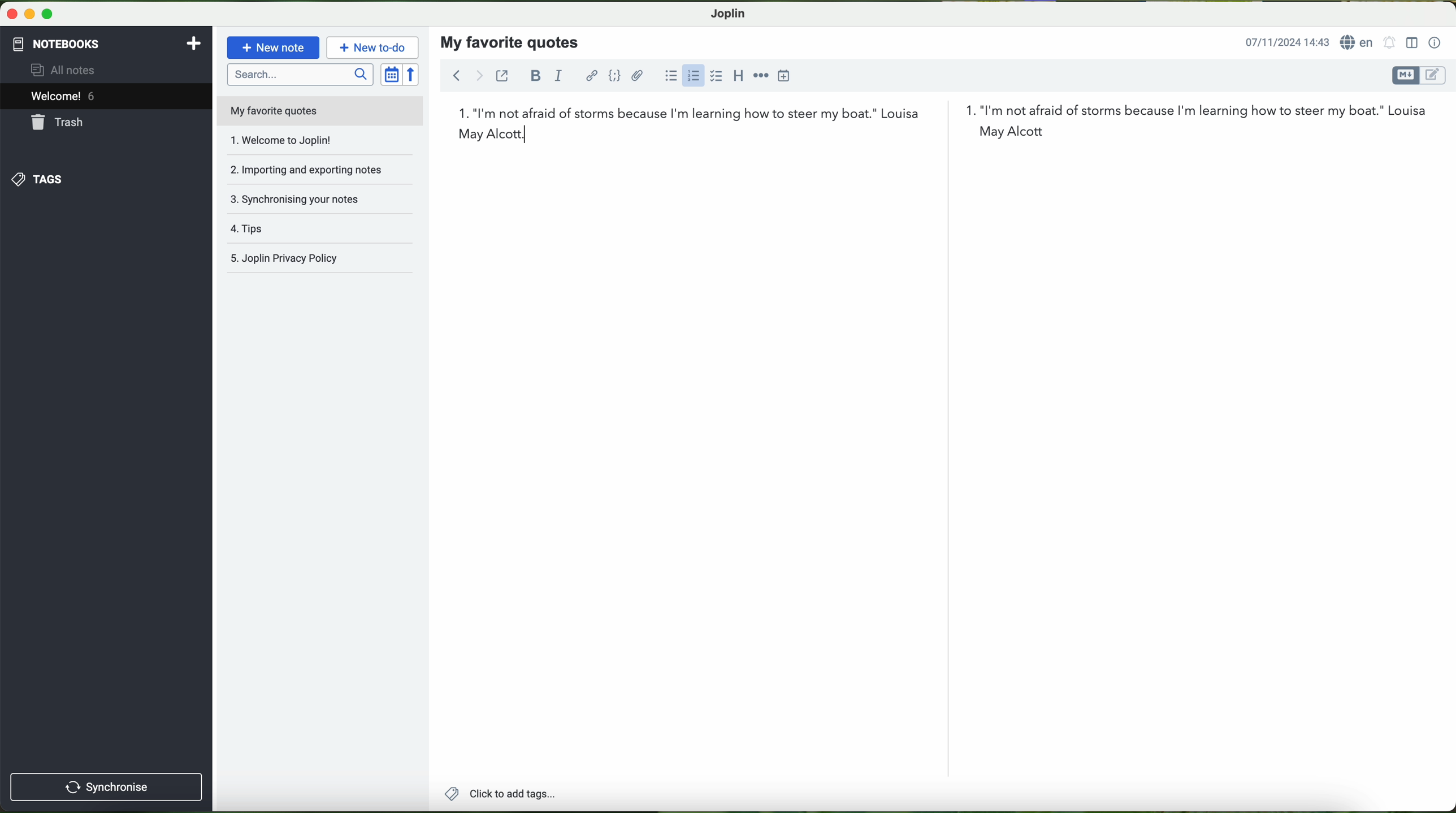 The height and width of the screenshot is (813, 1456). Describe the element at coordinates (298, 73) in the screenshot. I see `search bar` at that location.